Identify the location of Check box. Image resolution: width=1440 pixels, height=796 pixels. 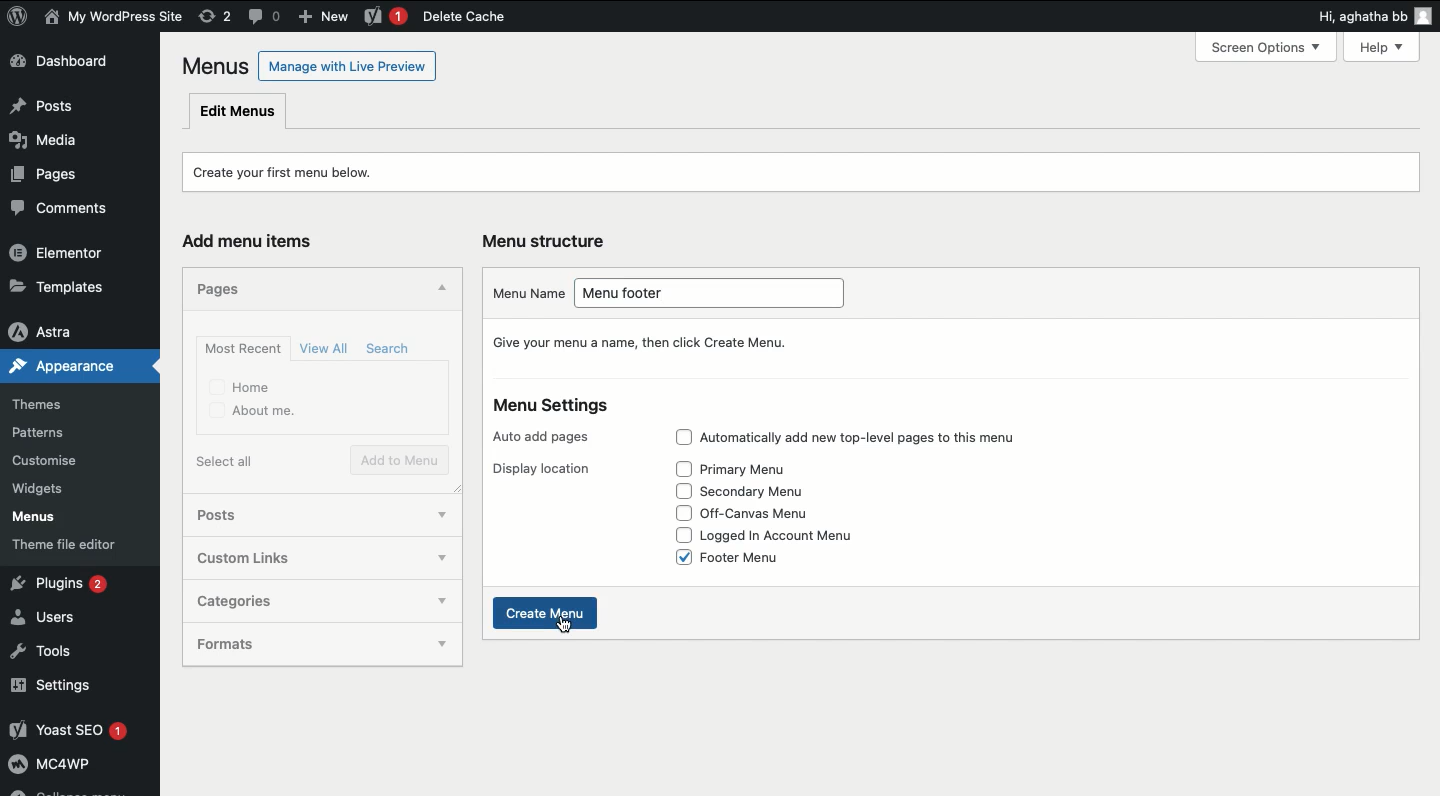
(676, 558).